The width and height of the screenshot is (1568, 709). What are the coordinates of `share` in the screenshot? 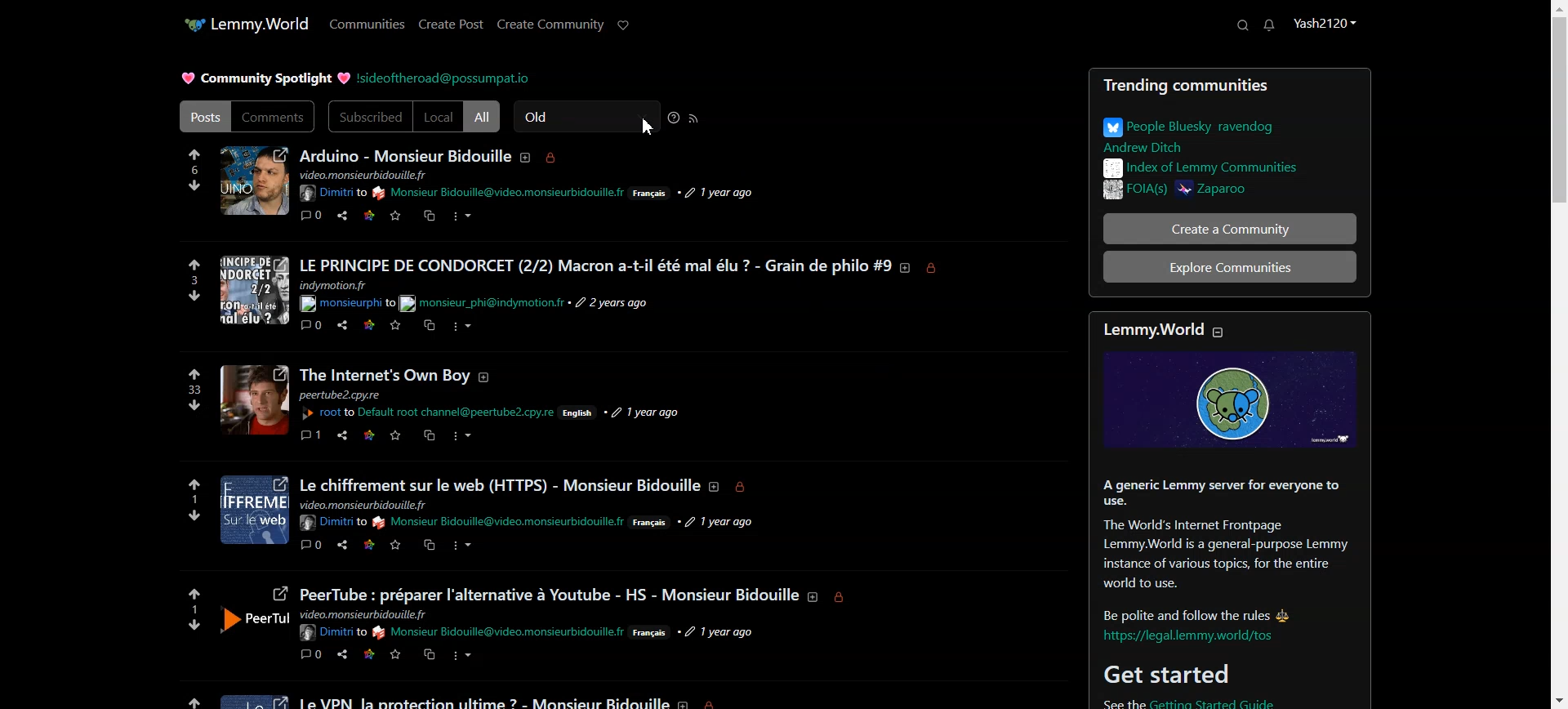 It's located at (344, 325).